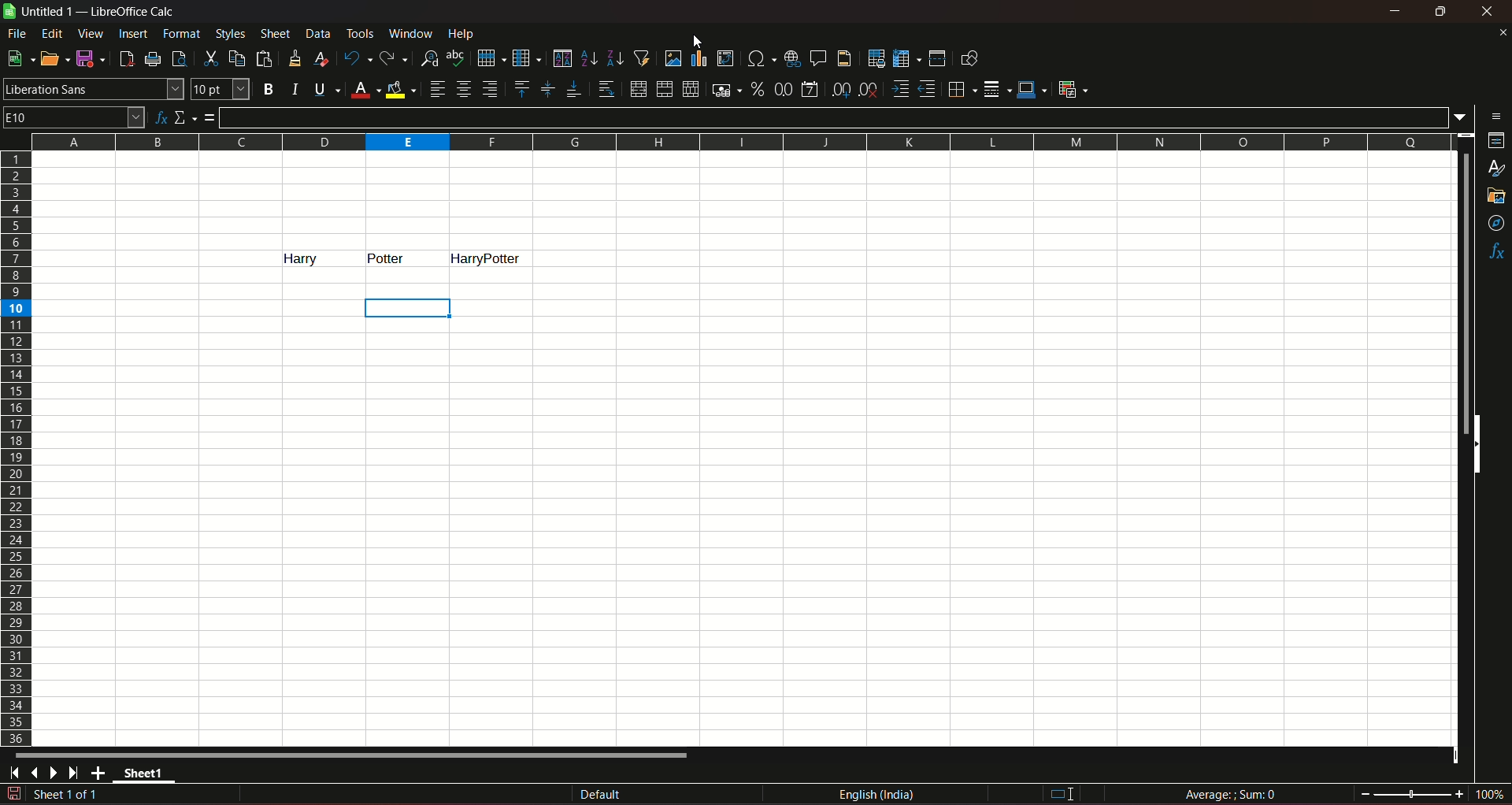 This screenshot has width=1512, height=805. Describe the element at coordinates (292, 258) in the screenshot. I see `text` at that location.